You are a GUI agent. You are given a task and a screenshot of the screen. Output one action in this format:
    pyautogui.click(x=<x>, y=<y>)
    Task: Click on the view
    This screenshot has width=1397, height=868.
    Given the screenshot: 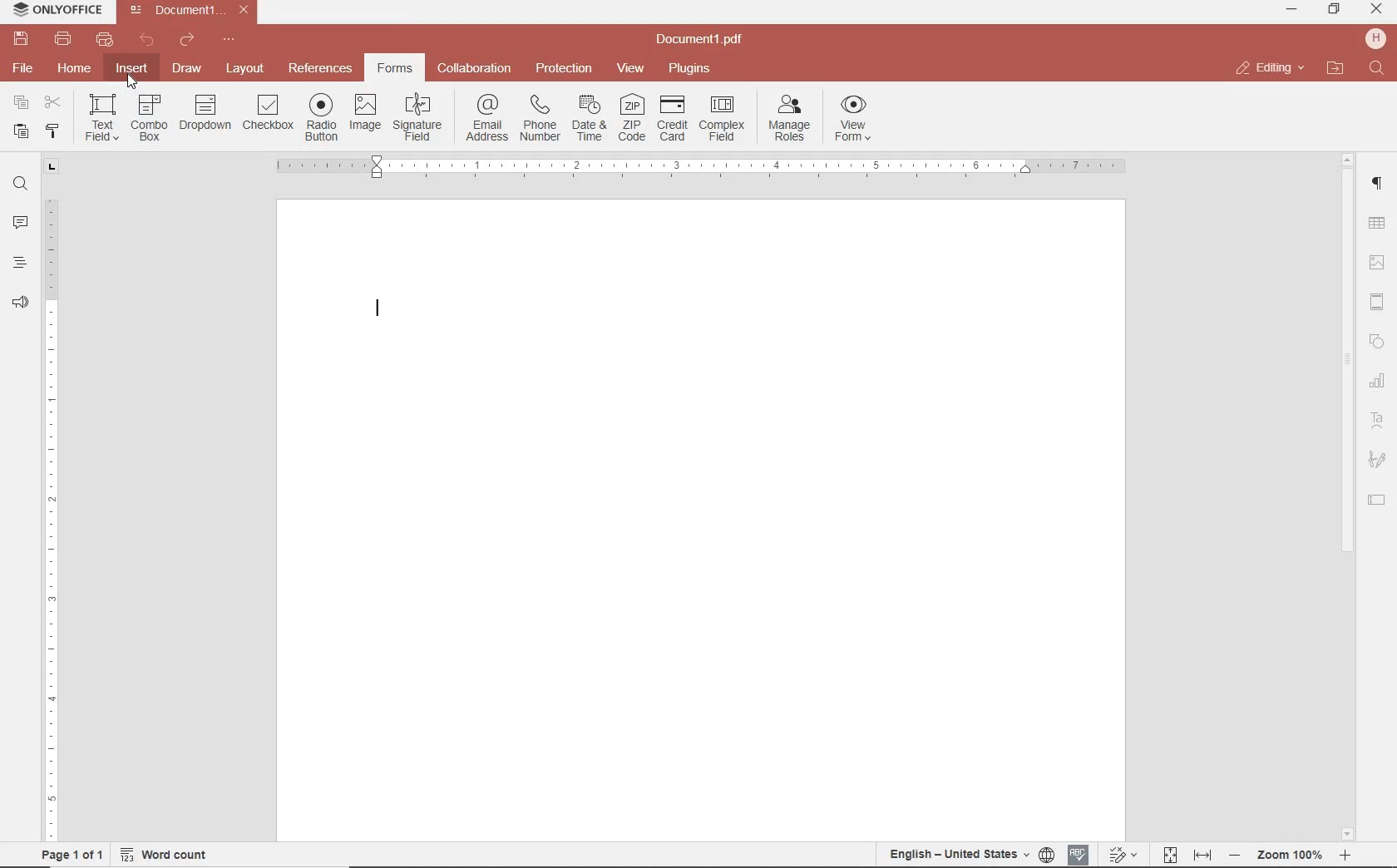 What is the action you would take?
    pyautogui.click(x=630, y=69)
    